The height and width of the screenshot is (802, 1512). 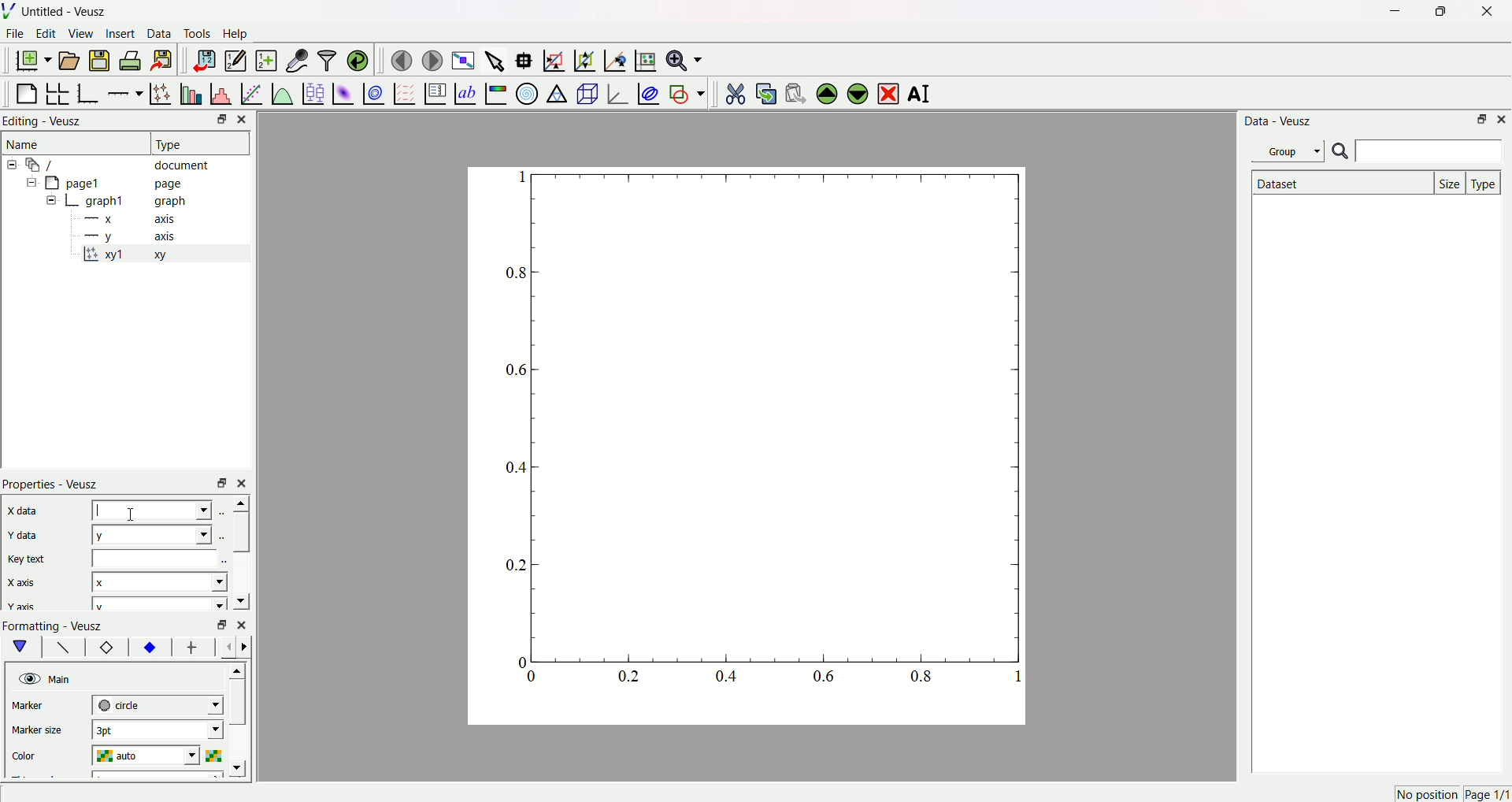 I want to click on minimise, so click(x=217, y=482).